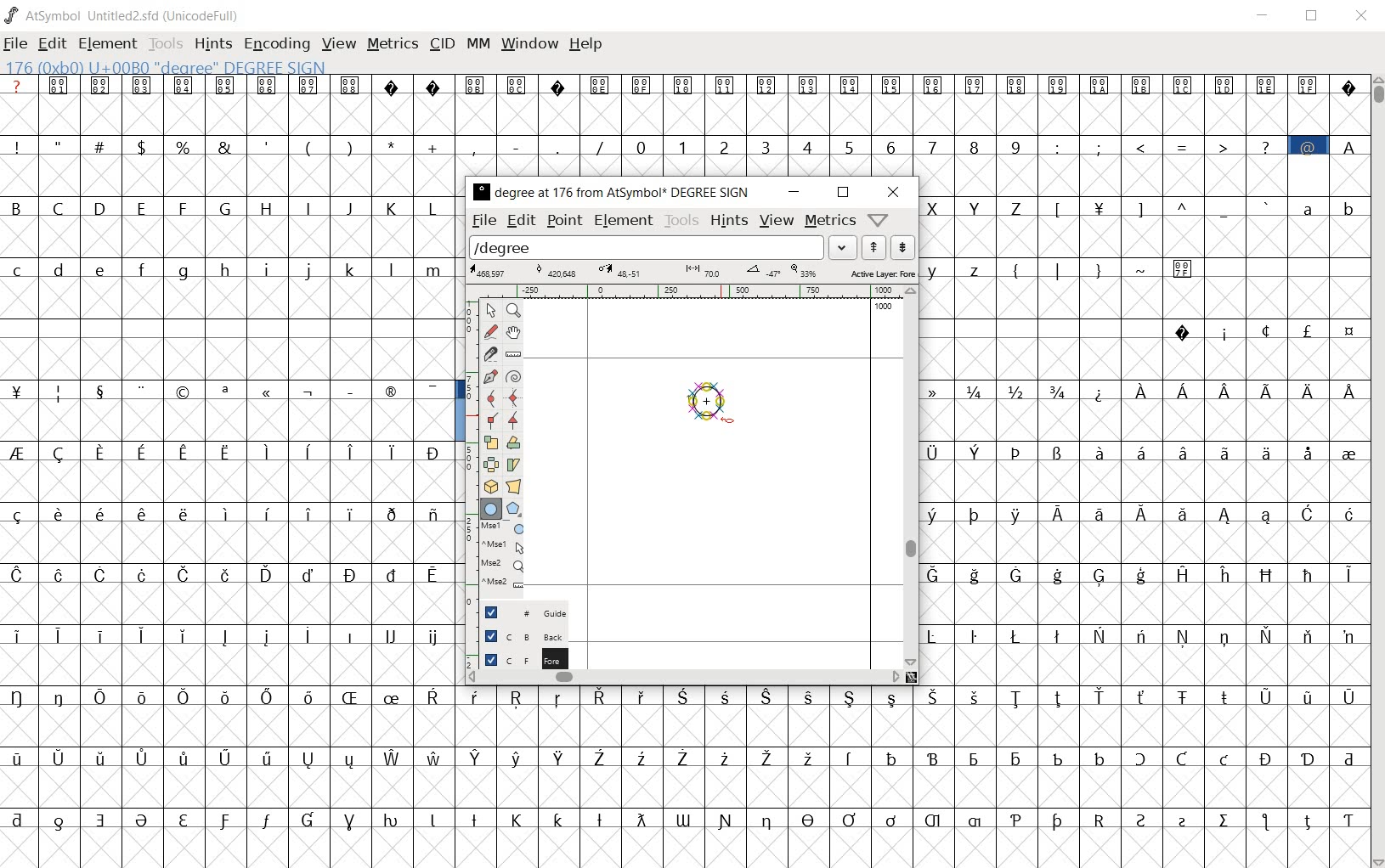  I want to click on help, so click(588, 45).